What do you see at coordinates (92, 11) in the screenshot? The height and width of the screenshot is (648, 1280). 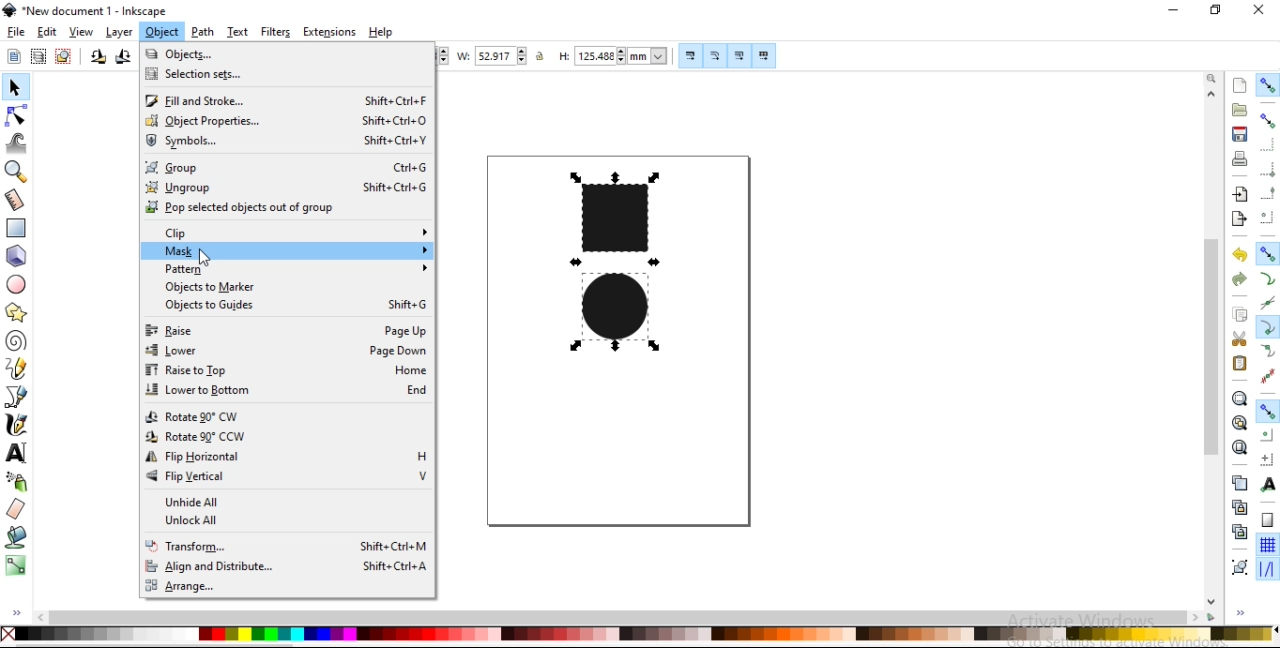 I see `new document 1 -Inksacpe` at bounding box center [92, 11].